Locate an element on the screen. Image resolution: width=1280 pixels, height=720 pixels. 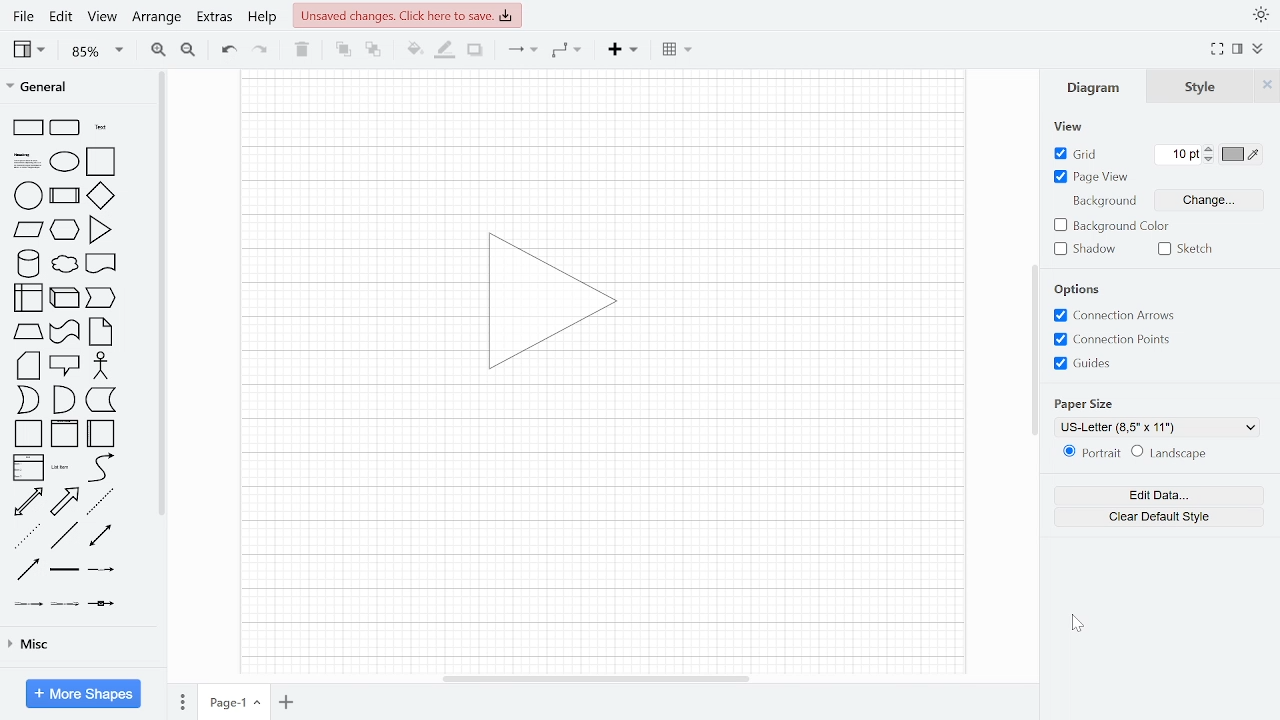
Document is located at coordinates (100, 263).